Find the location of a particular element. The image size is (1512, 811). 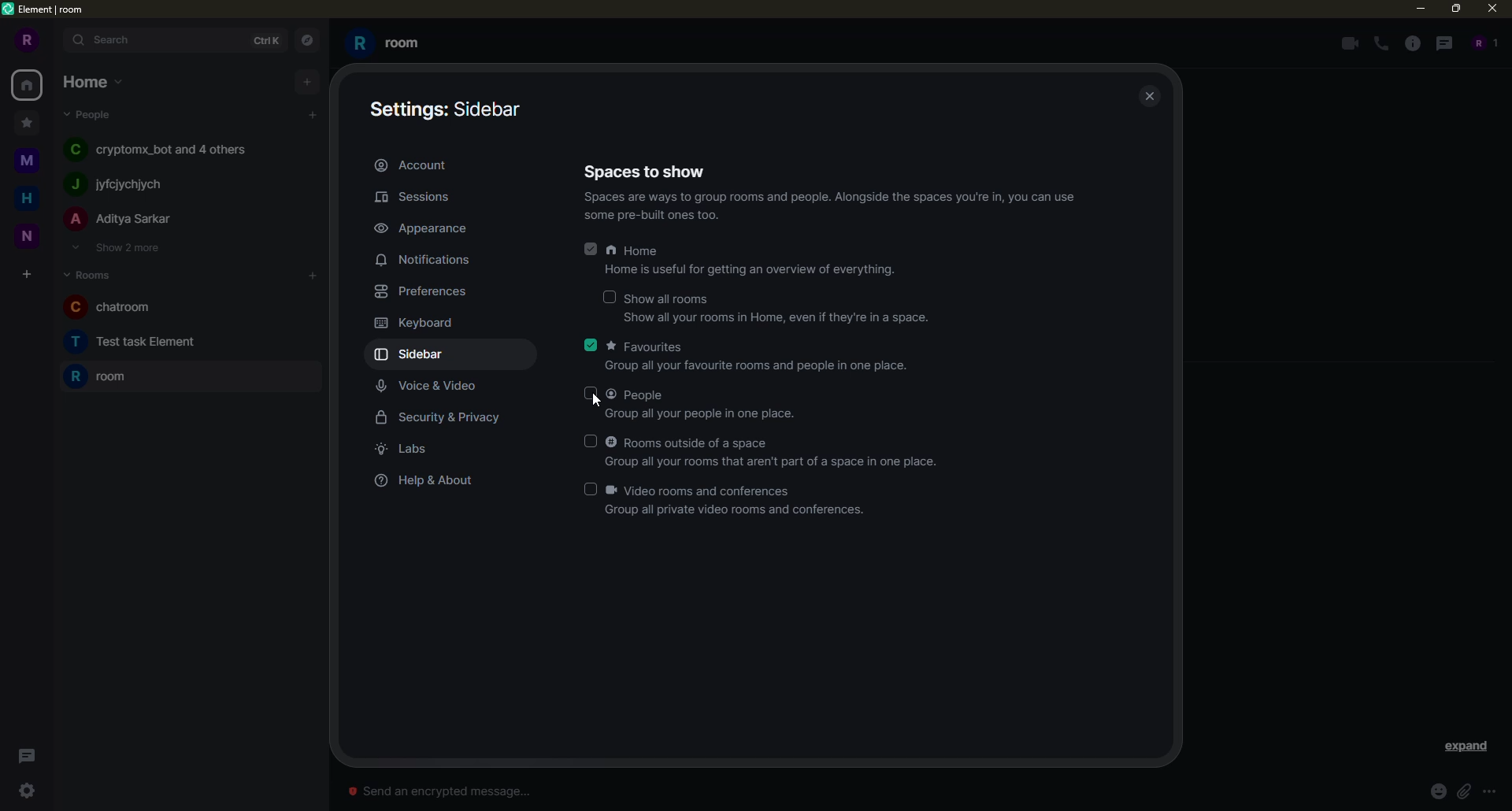

security & privacy is located at coordinates (441, 417).